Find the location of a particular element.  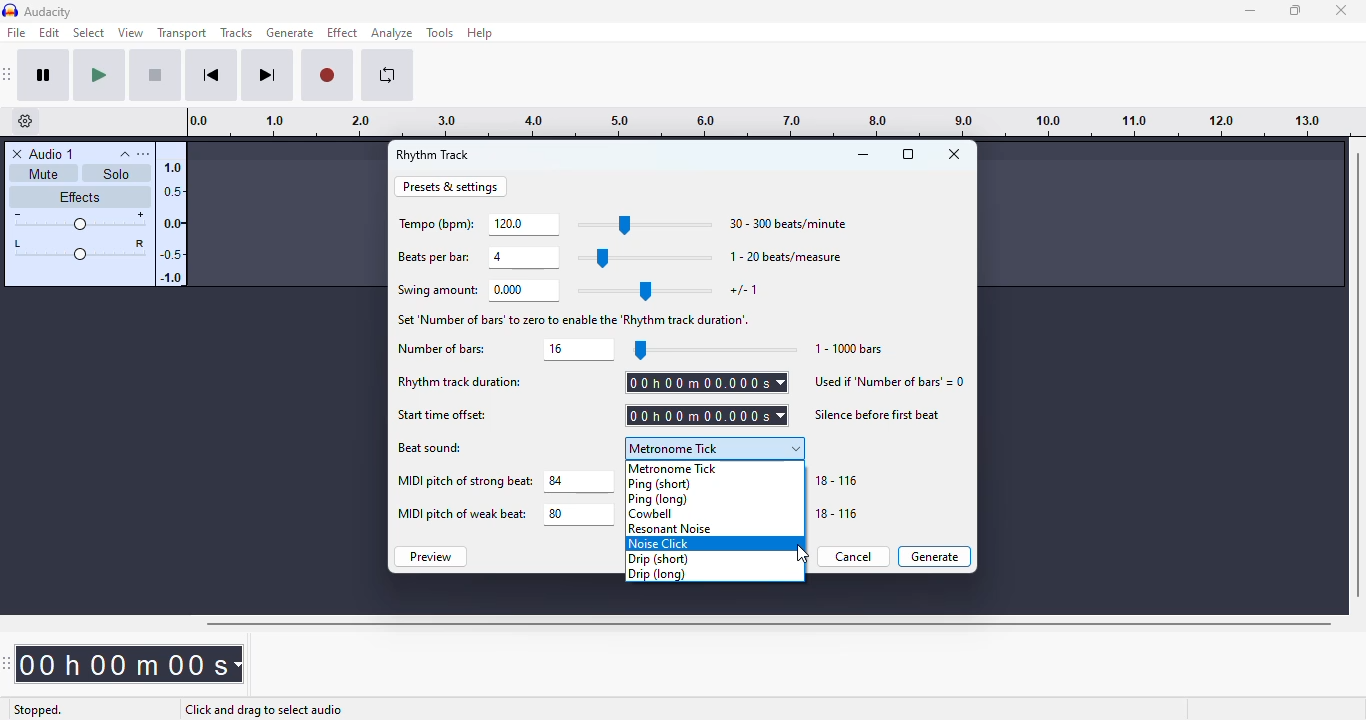

number of bars is located at coordinates (442, 349).